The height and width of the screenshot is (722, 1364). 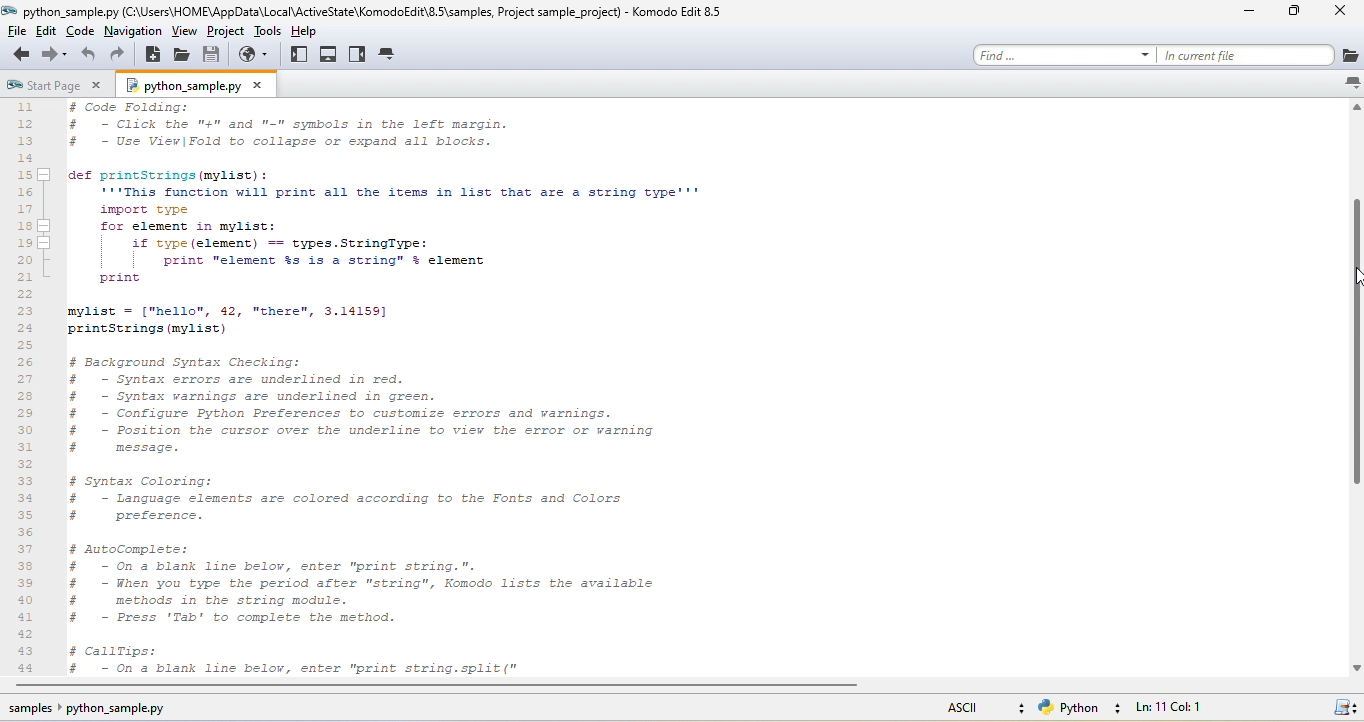 What do you see at coordinates (373, 11) in the screenshot?
I see `title` at bounding box center [373, 11].